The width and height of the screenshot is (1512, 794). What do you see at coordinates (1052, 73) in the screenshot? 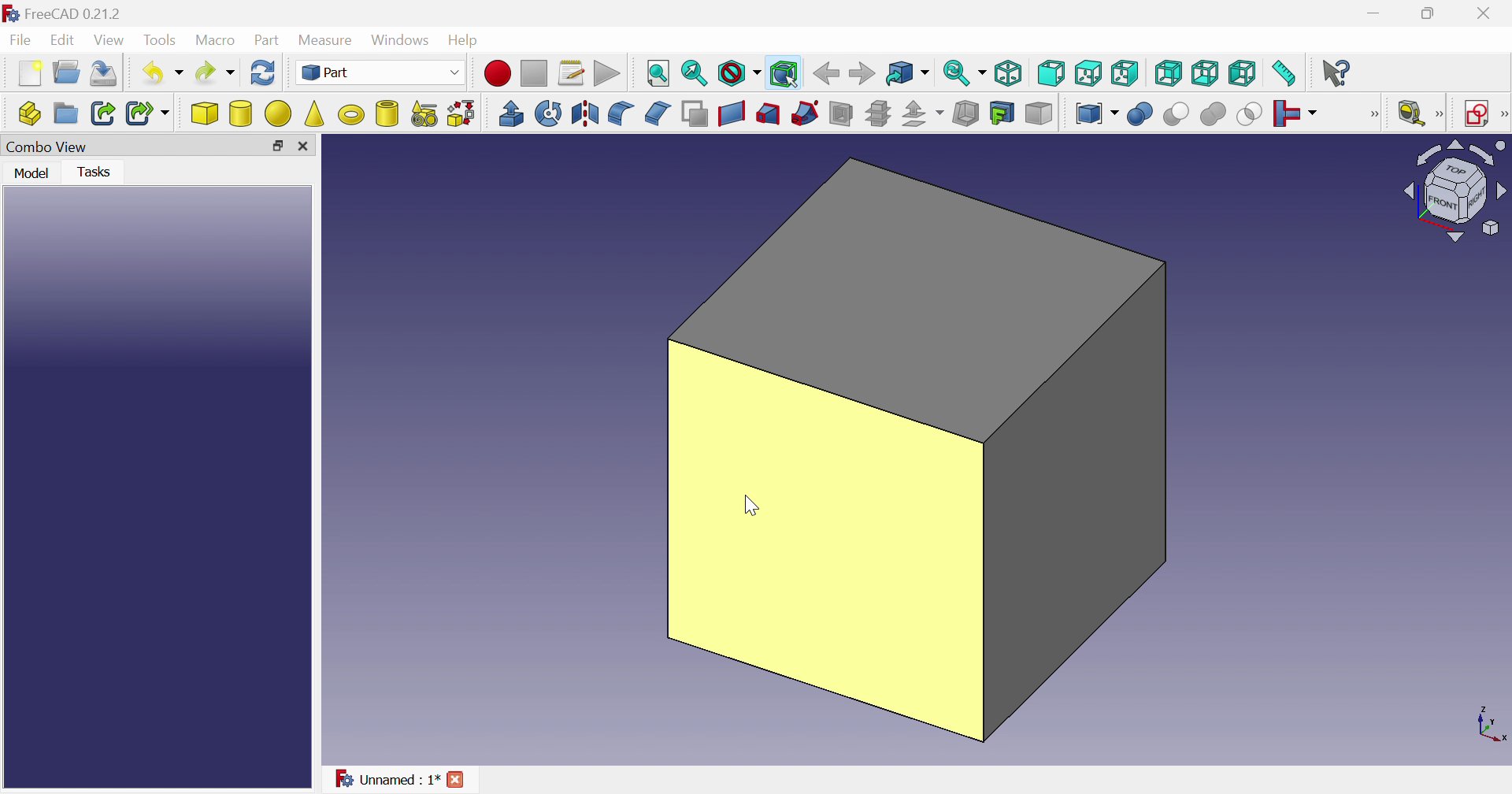
I see `Front` at bounding box center [1052, 73].